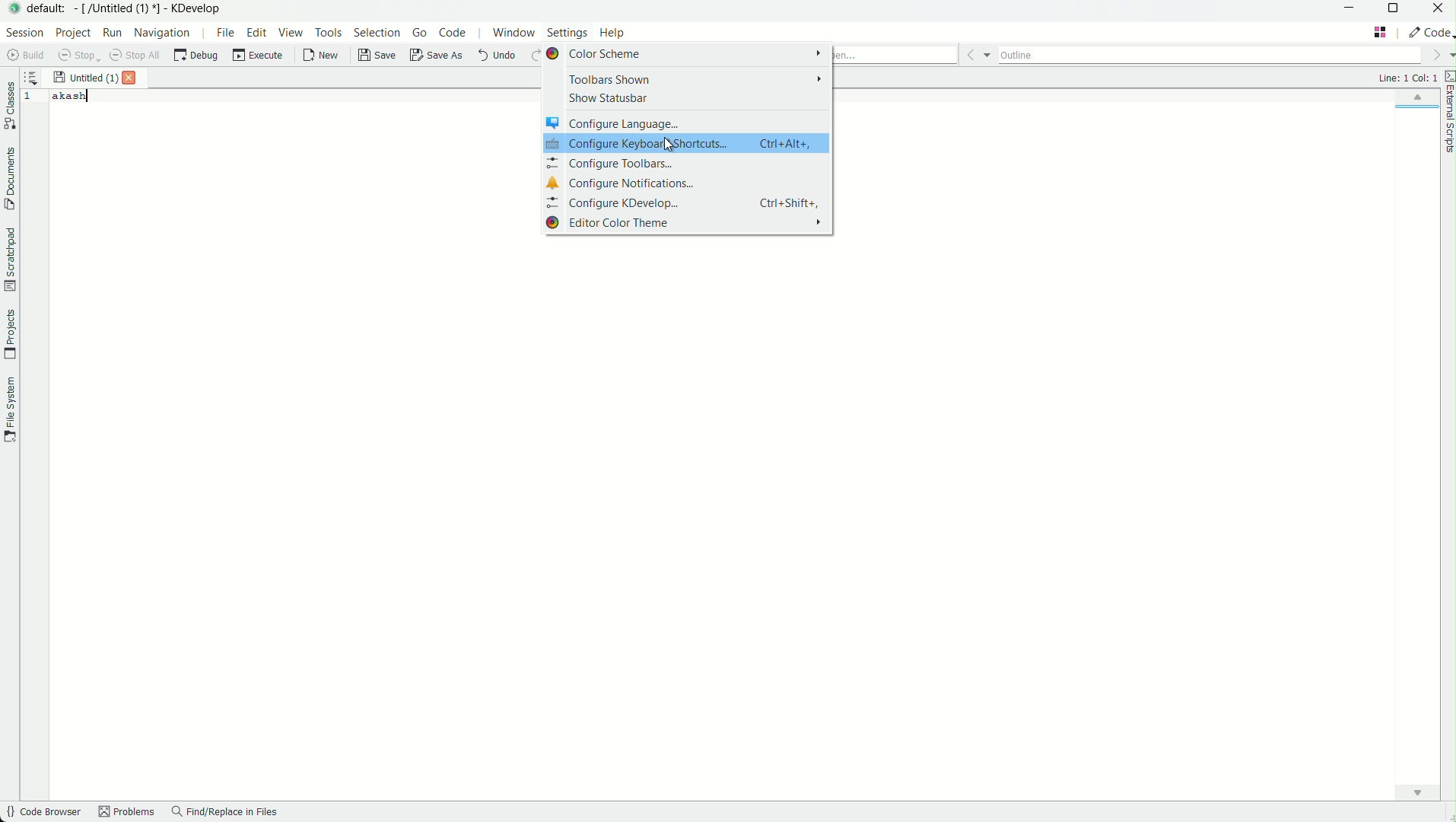 The height and width of the screenshot is (822, 1456). Describe the element at coordinates (684, 98) in the screenshot. I see `show statusbar` at that location.